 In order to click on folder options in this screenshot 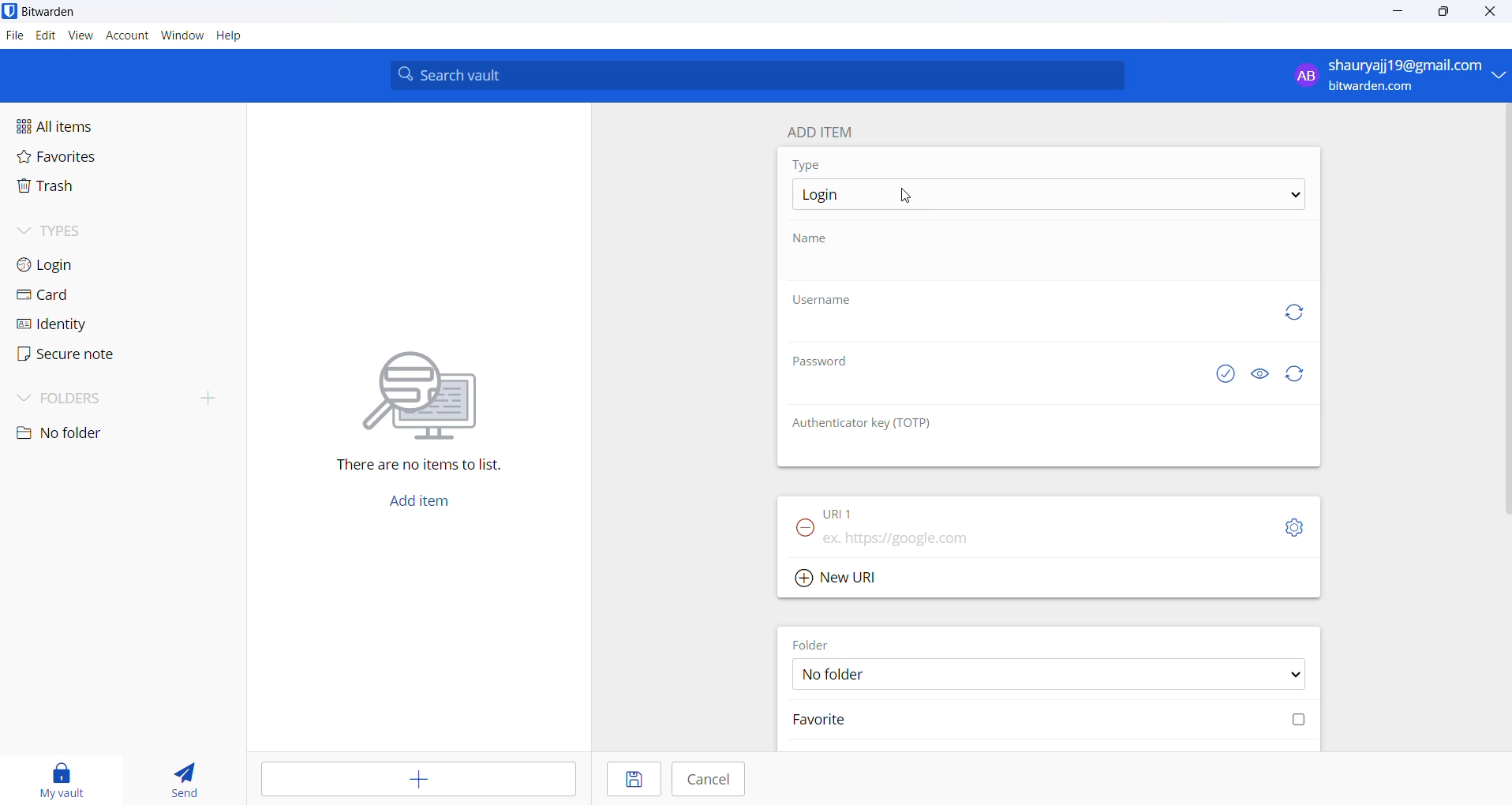, I will do `click(1046, 676)`.